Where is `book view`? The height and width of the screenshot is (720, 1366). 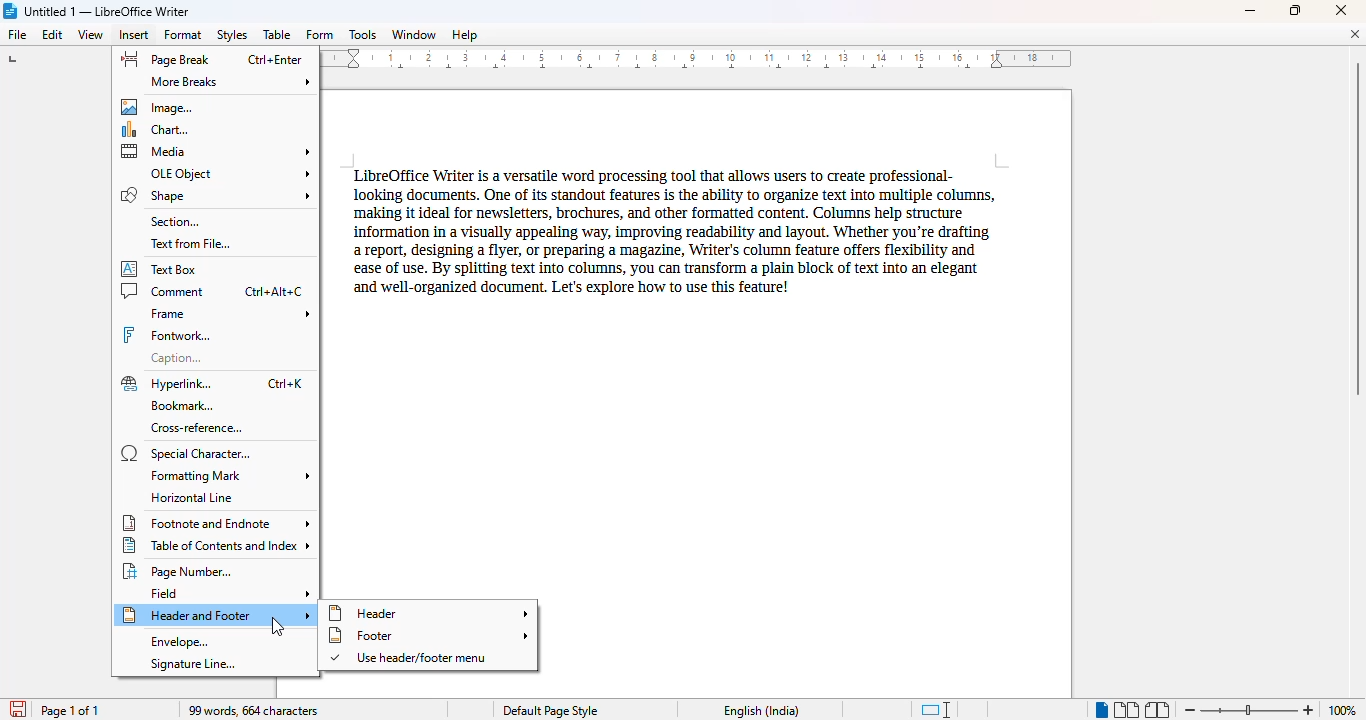
book view is located at coordinates (1156, 710).